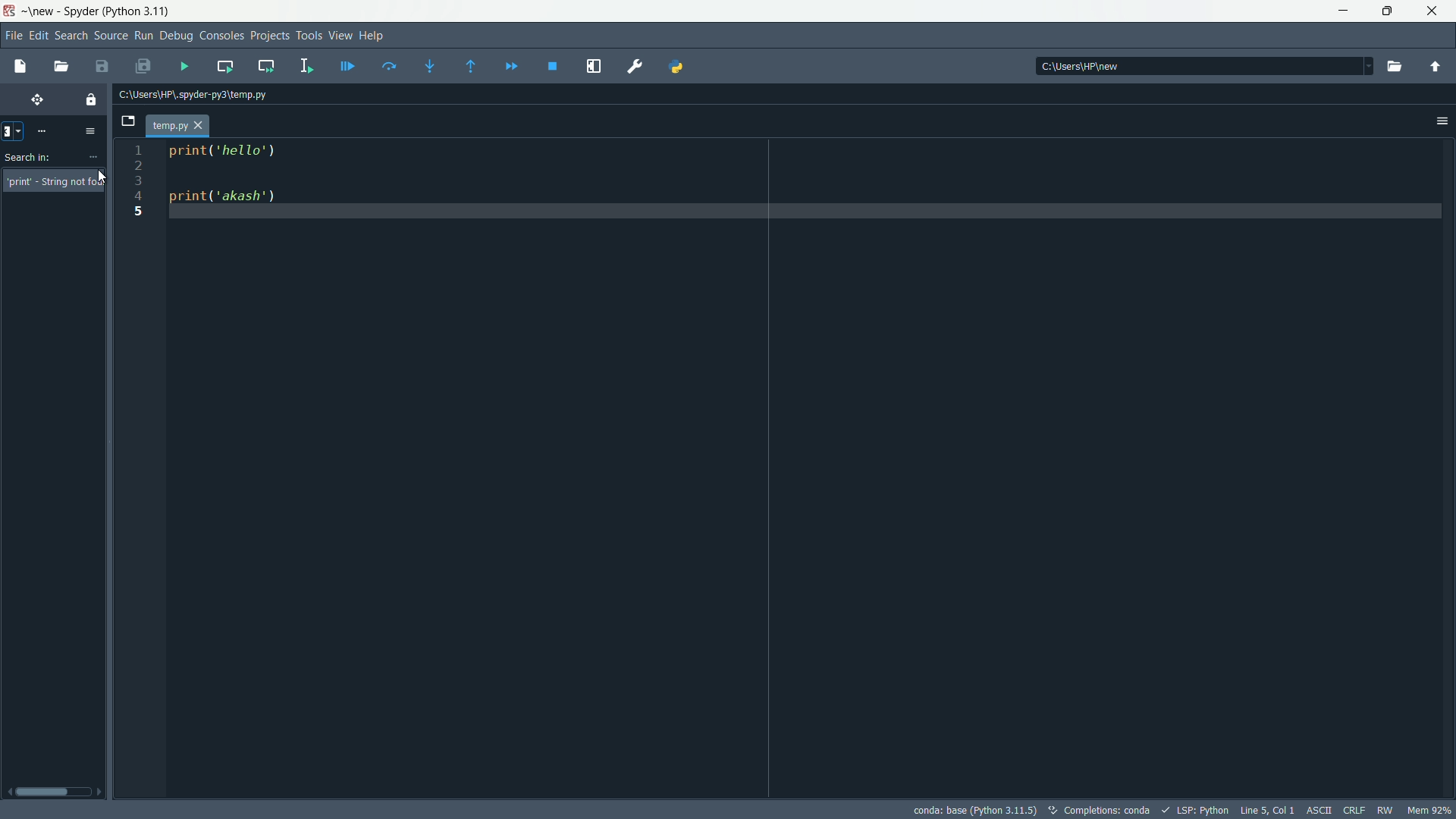  What do you see at coordinates (508, 65) in the screenshot?
I see `continue execution untill next function` at bounding box center [508, 65].